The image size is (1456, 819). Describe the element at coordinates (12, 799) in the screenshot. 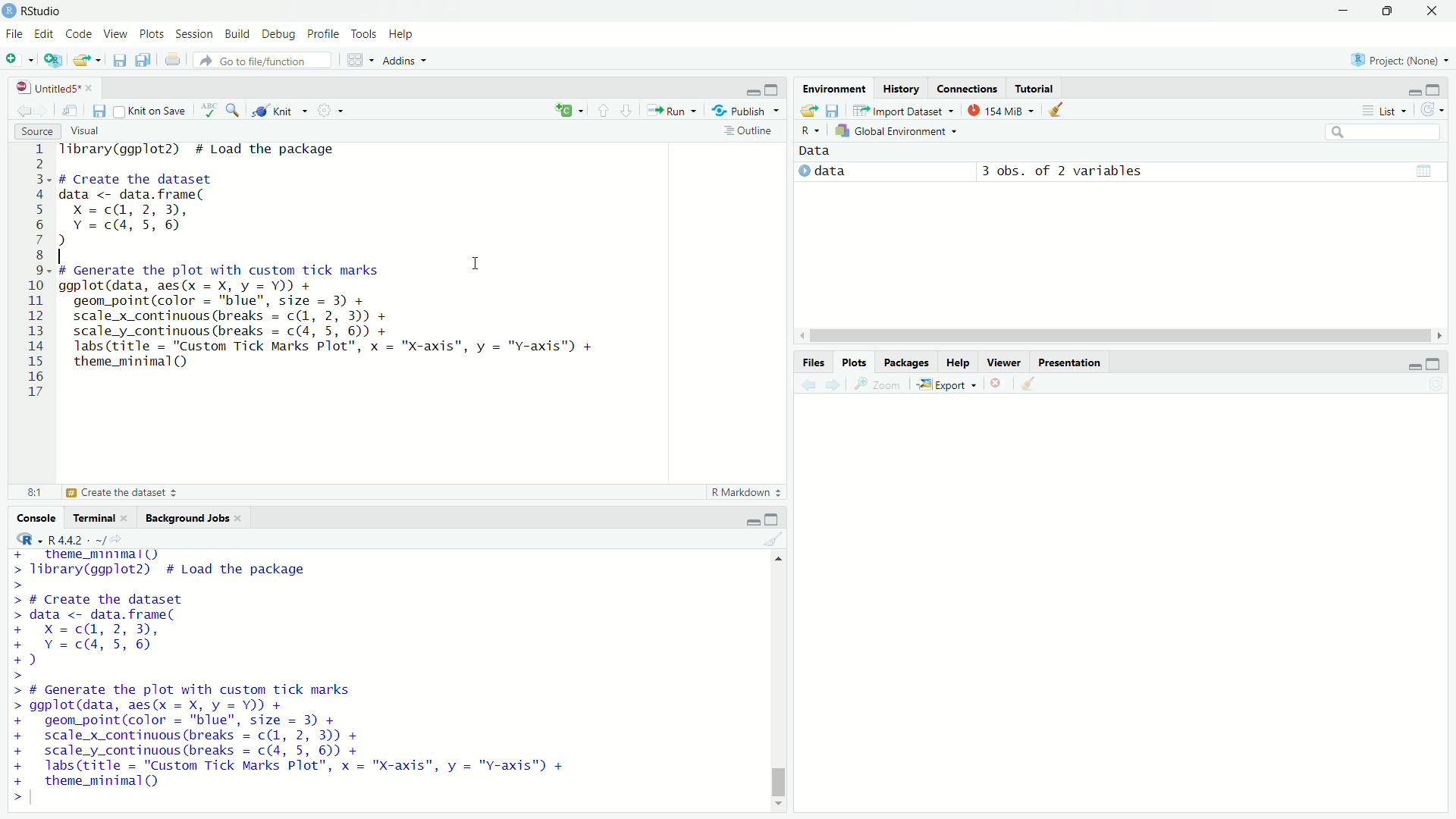

I see `prompt cursor` at that location.